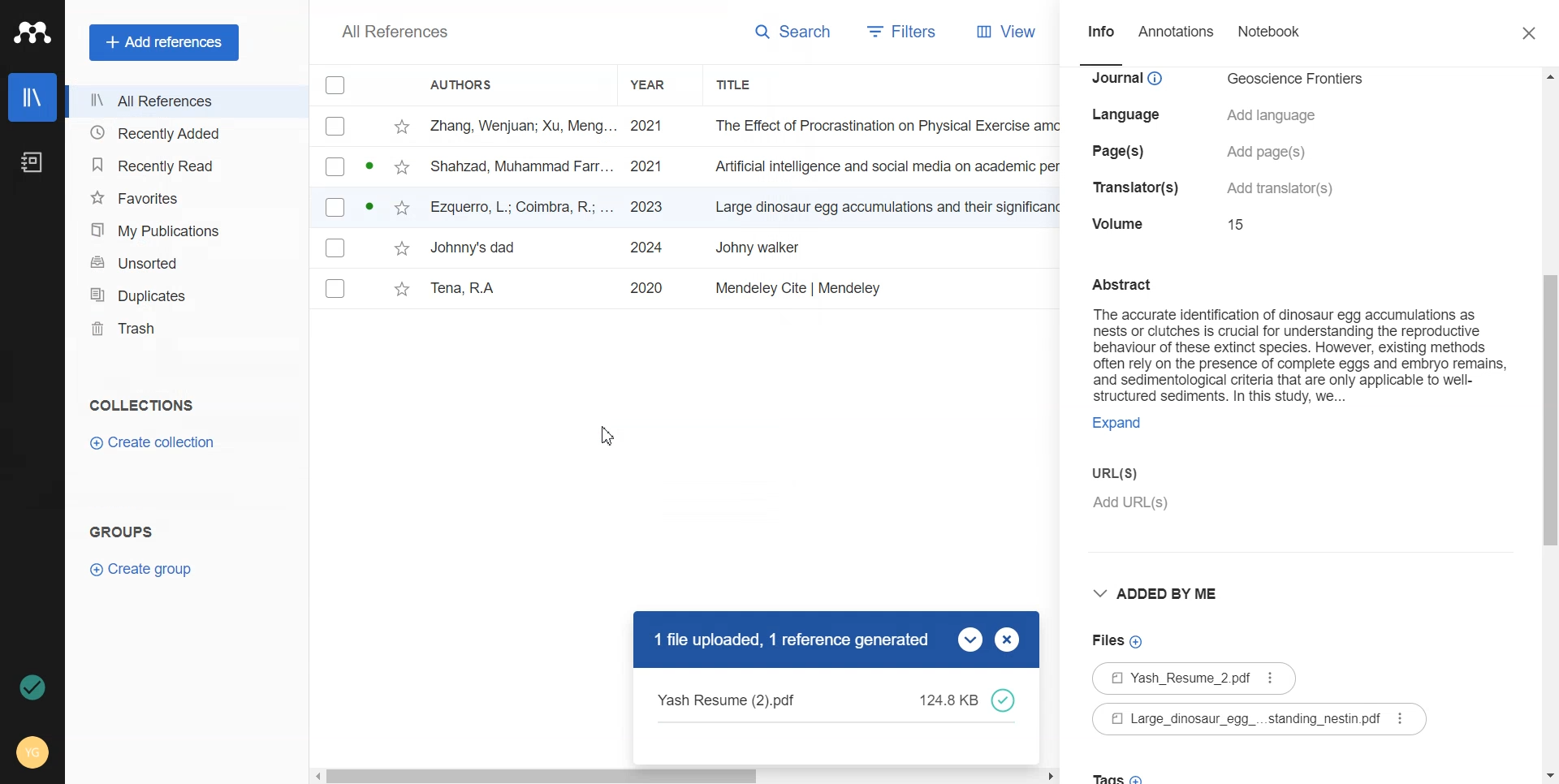  What do you see at coordinates (1008, 32) in the screenshot?
I see `View` at bounding box center [1008, 32].